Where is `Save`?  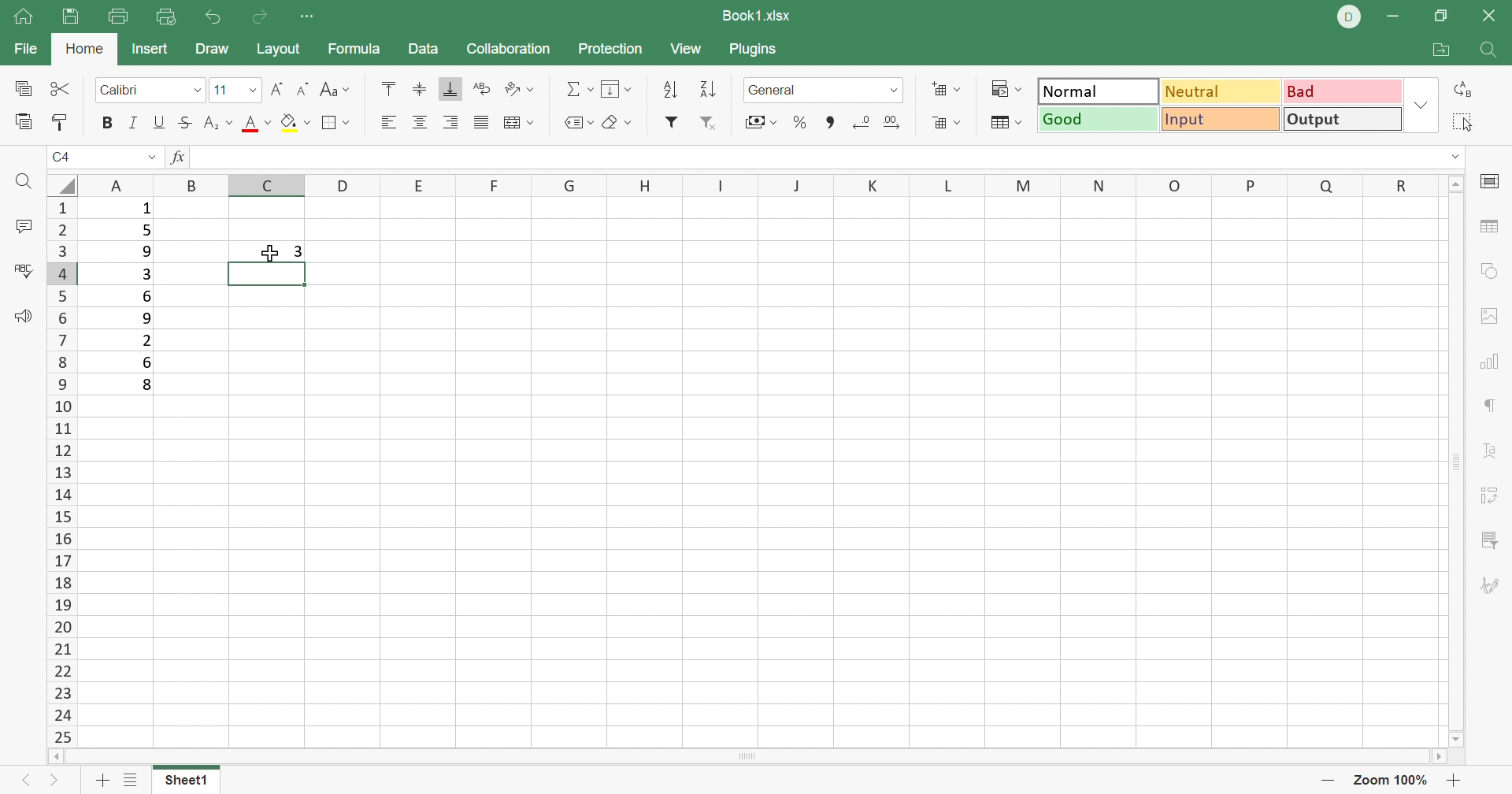
Save is located at coordinates (69, 17).